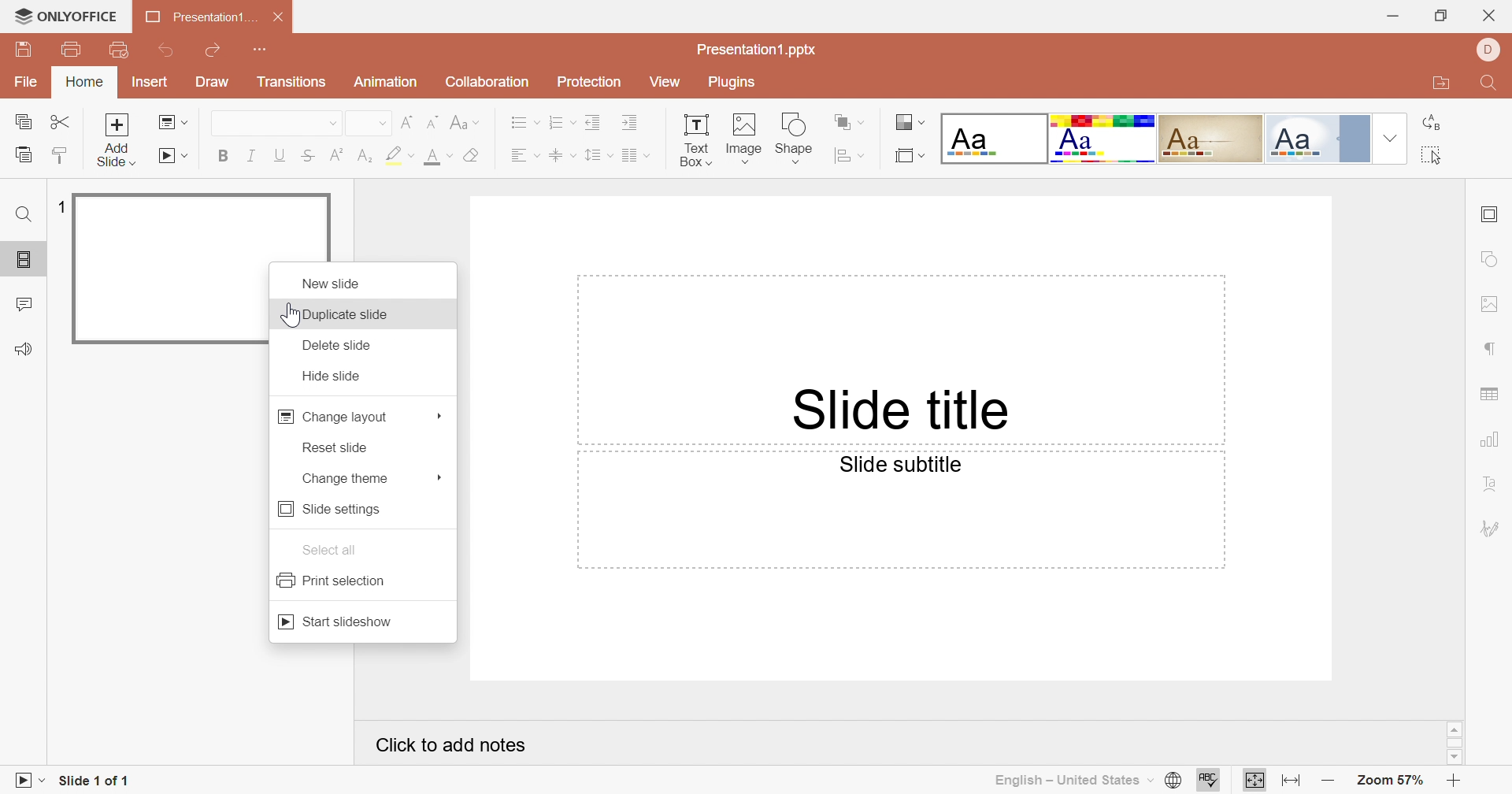 The height and width of the screenshot is (794, 1512). Describe the element at coordinates (574, 121) in the screenshot. I see `Drop Down` at that location.